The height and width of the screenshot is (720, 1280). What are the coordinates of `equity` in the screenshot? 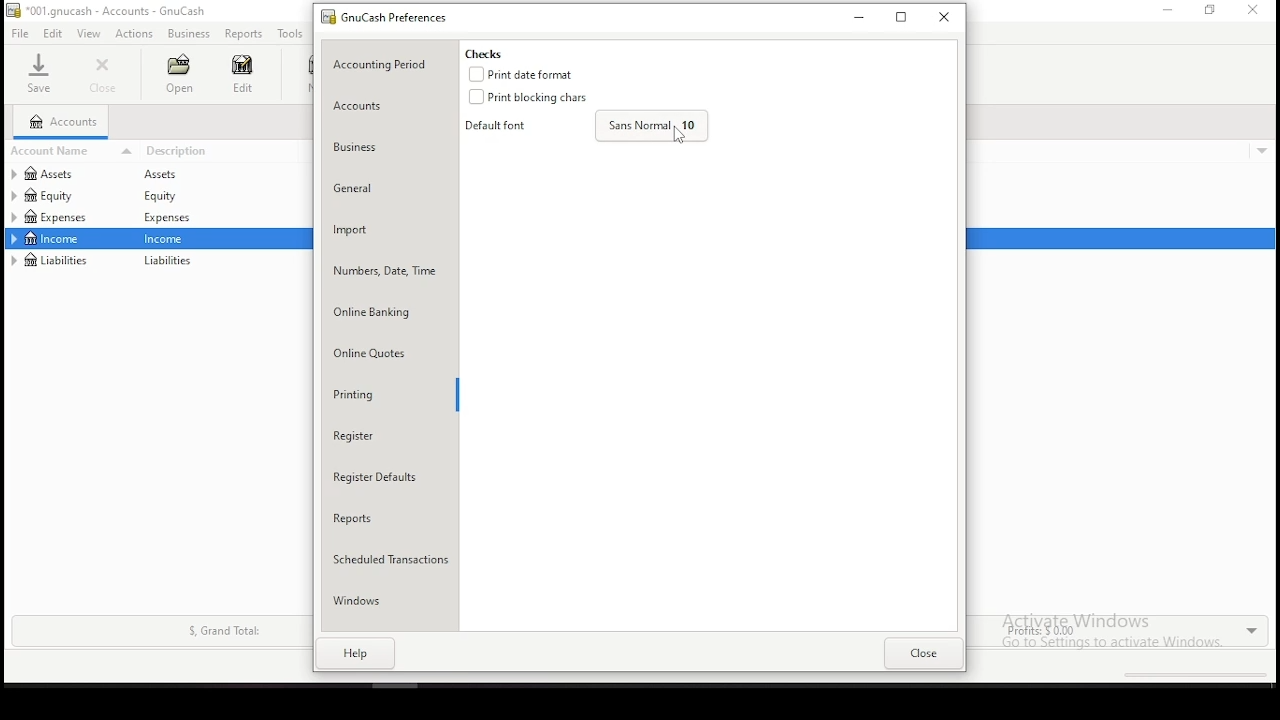 It's located at (165, 196).